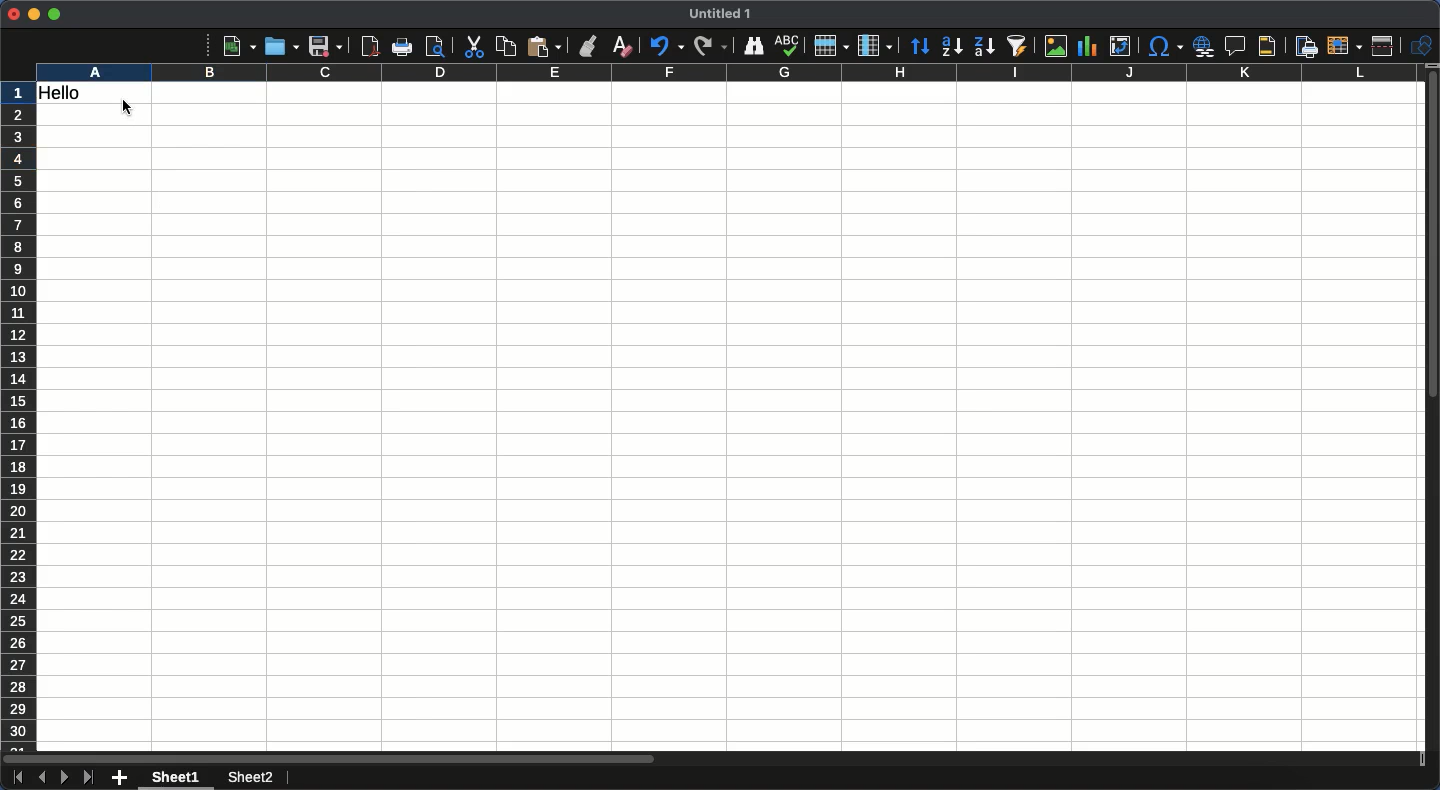  I want to click on Row, so click(832, 45).